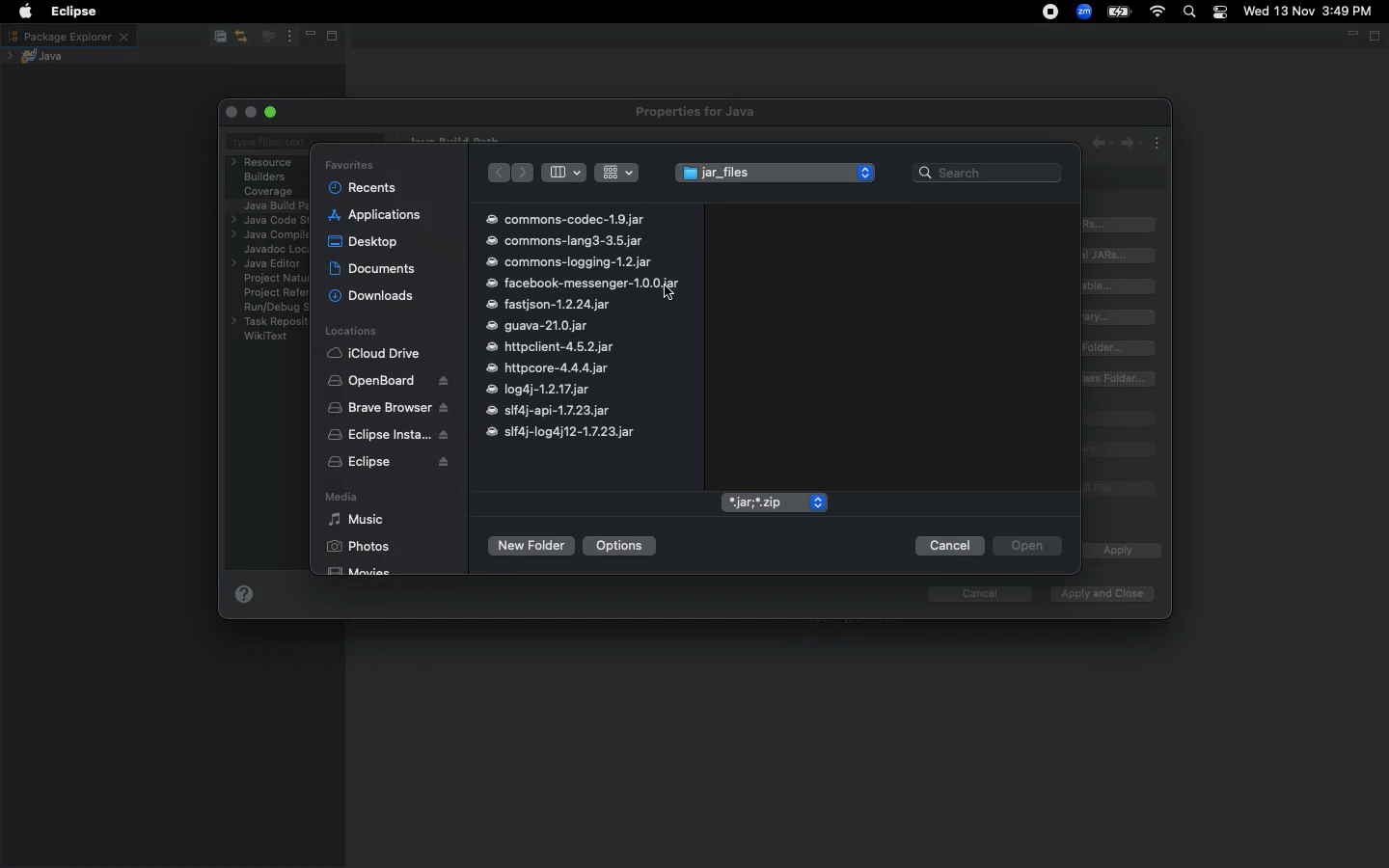  I want to click on Movies, so click(361, 568).